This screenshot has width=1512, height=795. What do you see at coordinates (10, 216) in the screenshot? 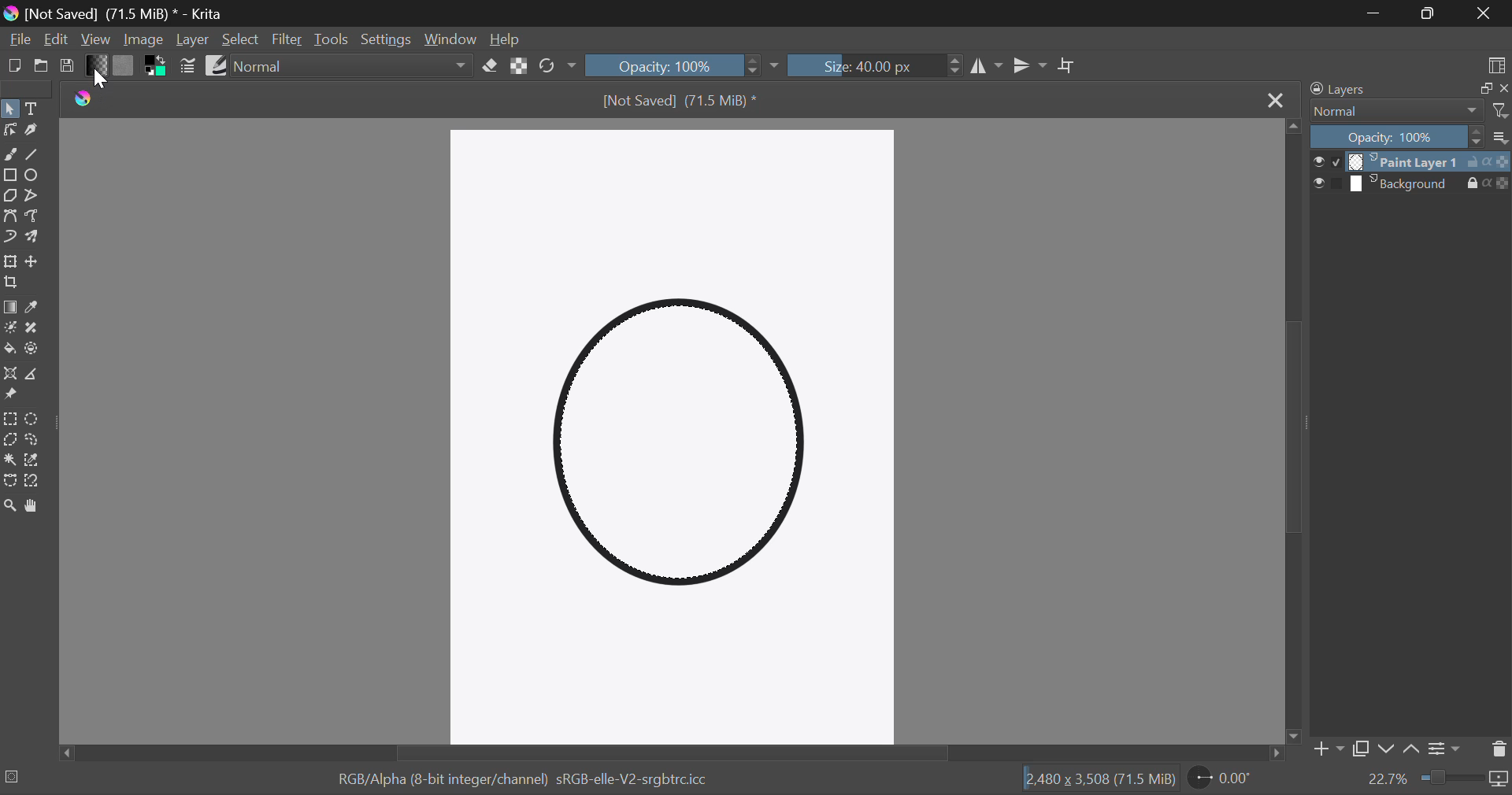
I see `Bezier Curve` at bounding box center [10, 216].